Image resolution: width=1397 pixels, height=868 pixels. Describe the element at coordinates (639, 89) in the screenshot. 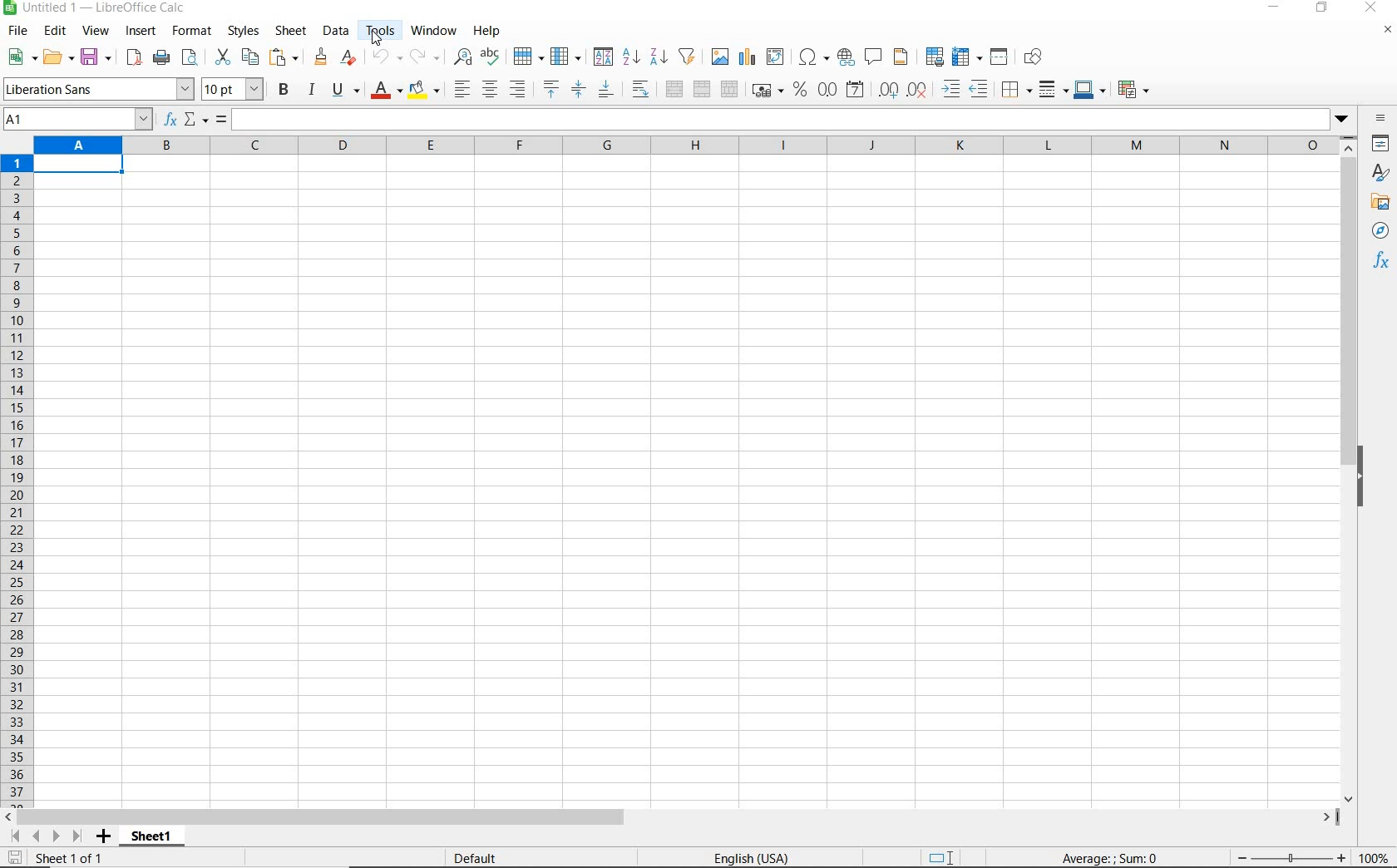

I see `wrap text` at that location.